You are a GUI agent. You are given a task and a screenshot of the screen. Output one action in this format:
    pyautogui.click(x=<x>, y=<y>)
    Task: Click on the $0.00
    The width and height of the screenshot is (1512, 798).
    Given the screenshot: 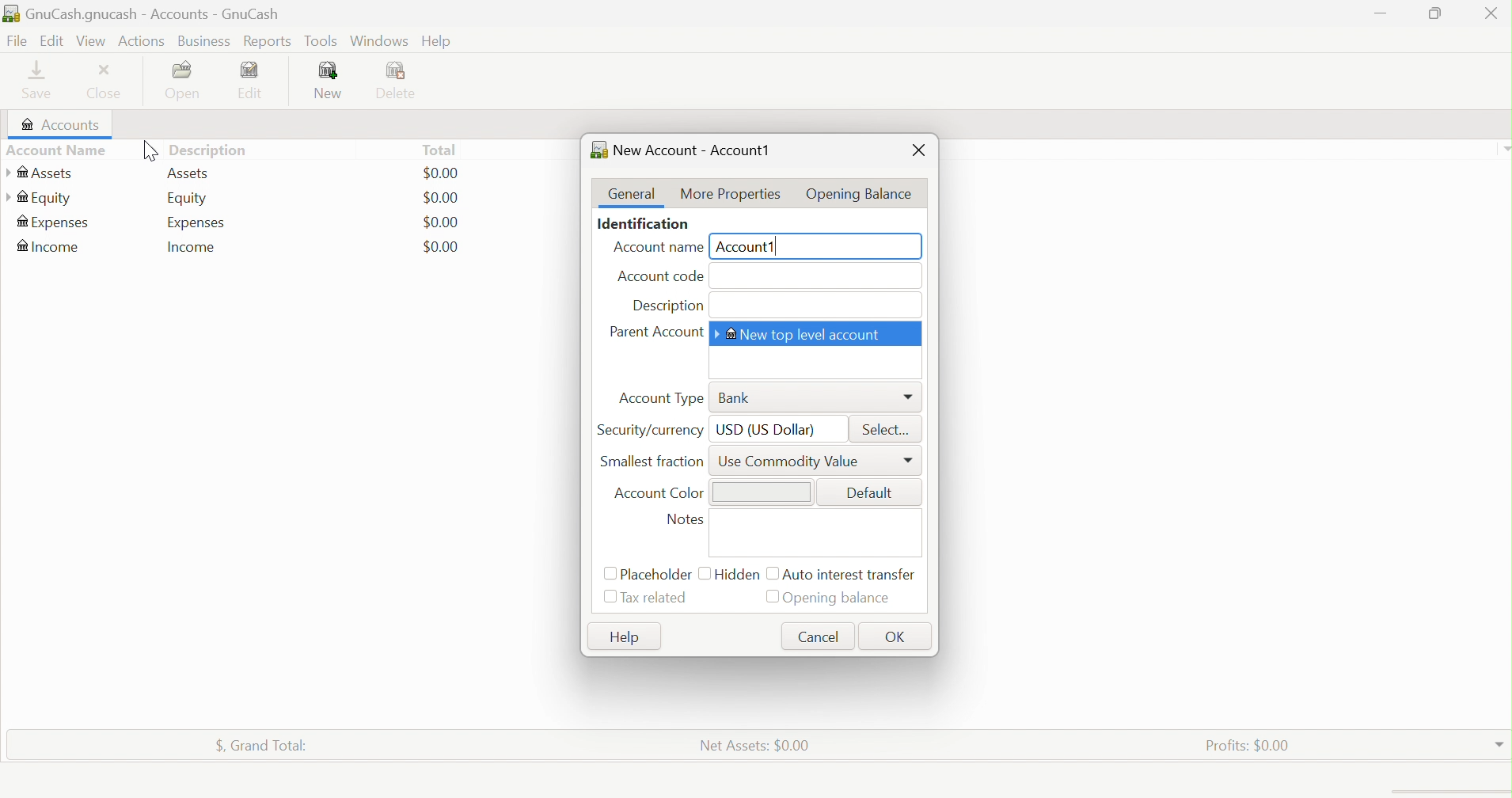 What is the action you would take?
    pyautogui.click(x=441, y=222)
    